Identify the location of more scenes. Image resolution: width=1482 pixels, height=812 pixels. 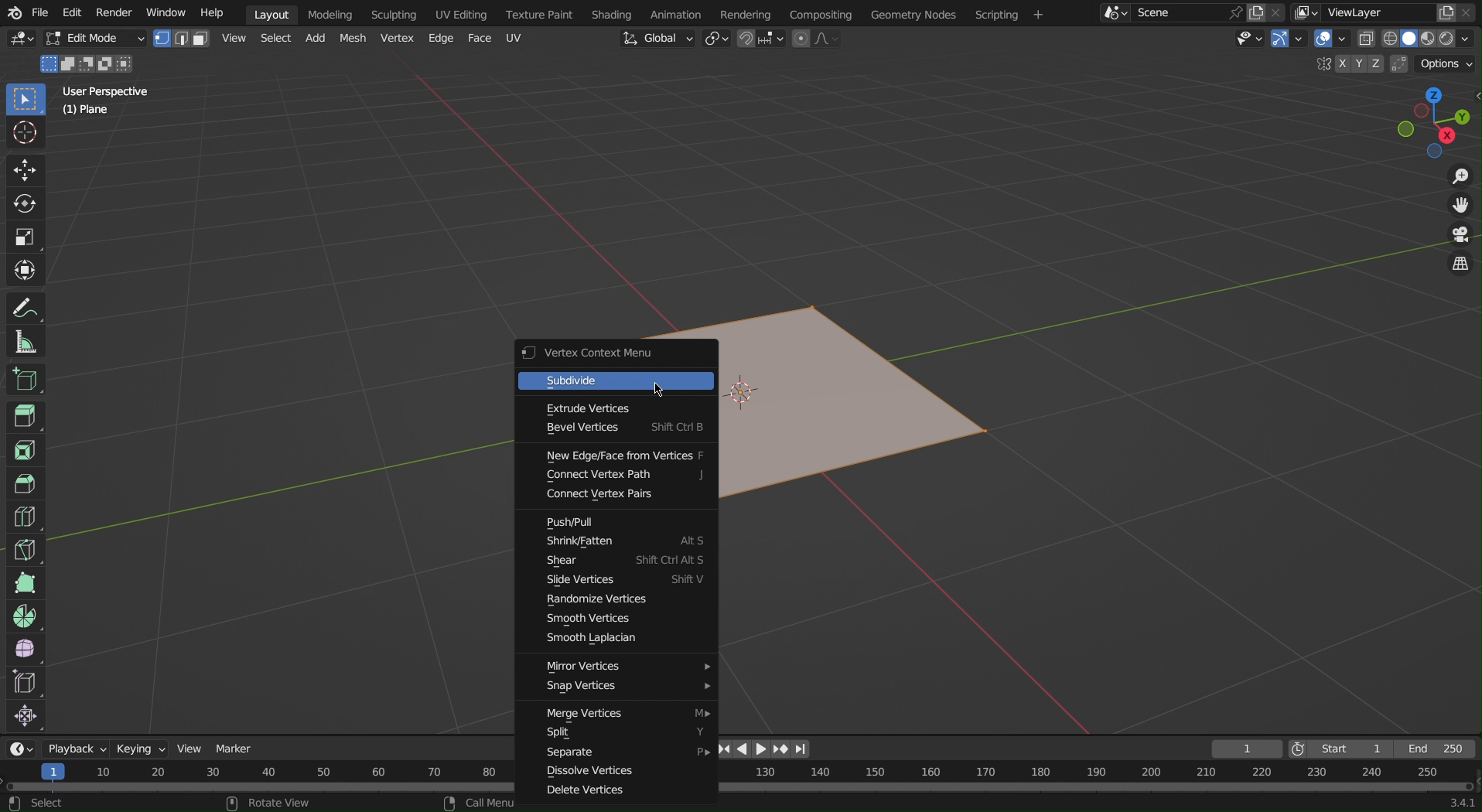
(1114, 15).